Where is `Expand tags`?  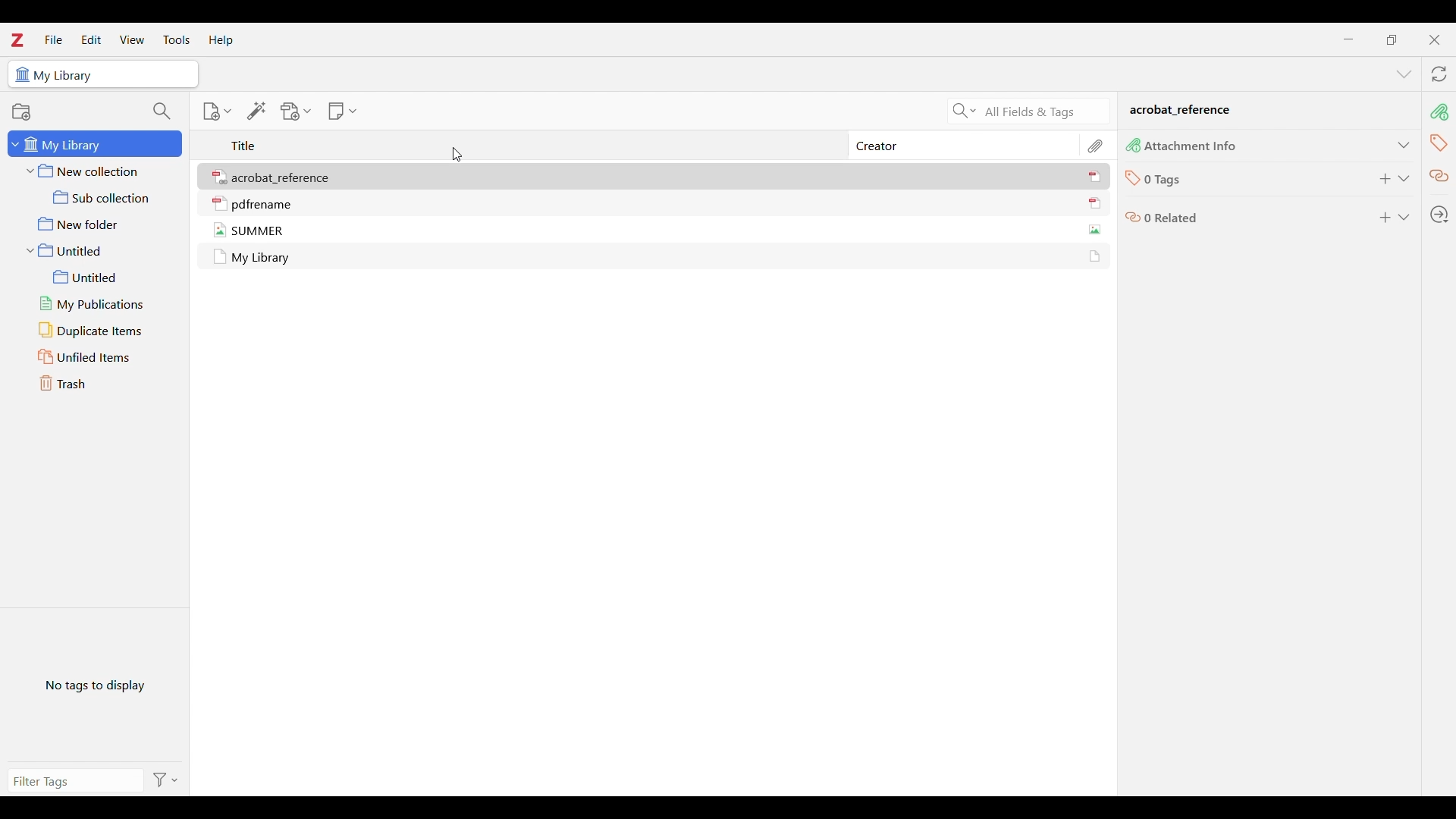
Expand tags is located at coordinates (1404, 179).